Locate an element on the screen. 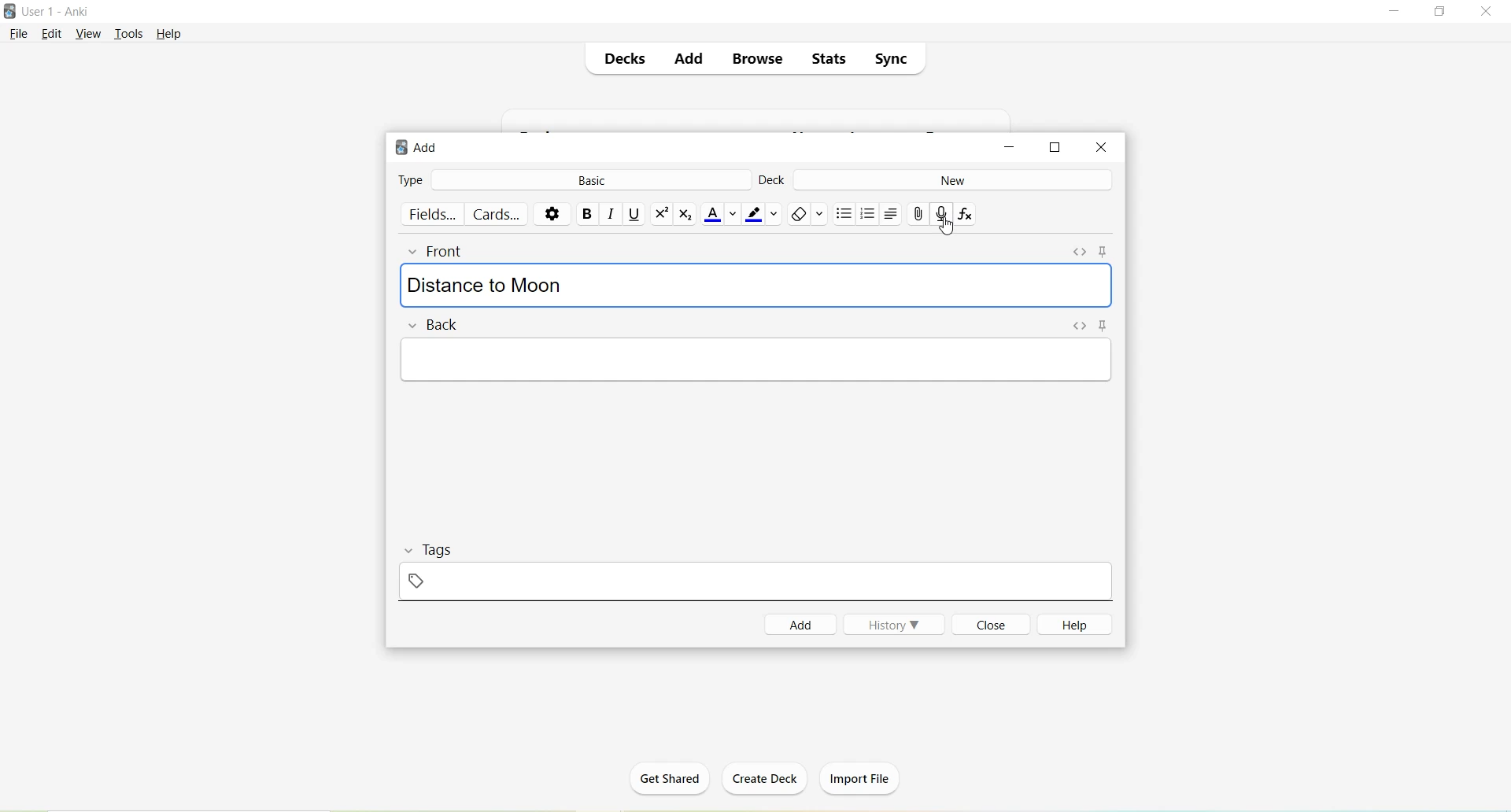 This screenshot has width=1511, height=812. Underline is located at coordinates (636, 215).